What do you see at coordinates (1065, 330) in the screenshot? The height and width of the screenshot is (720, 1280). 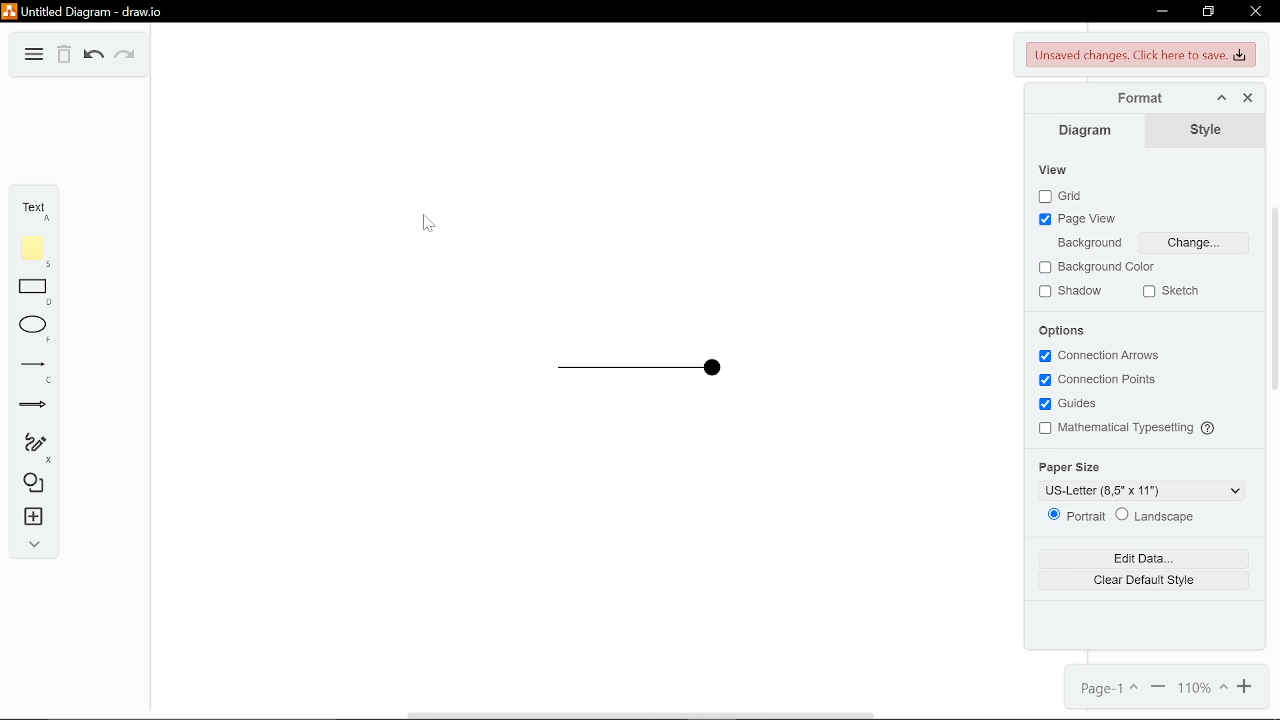 I see `Options` at bounding box center [1065, 330].